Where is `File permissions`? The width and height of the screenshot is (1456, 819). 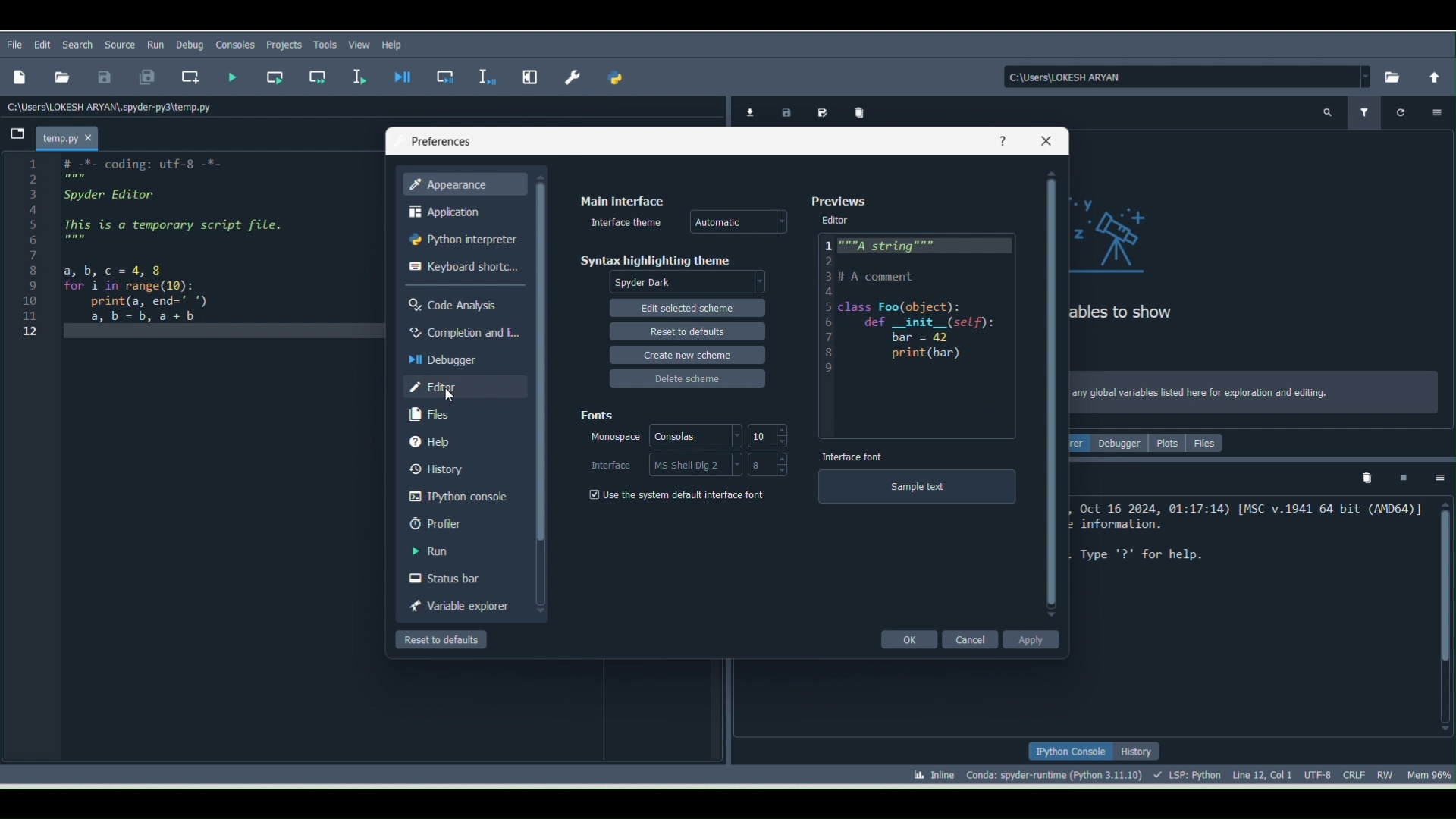 File permissions is located at coordinates (1387, 772).